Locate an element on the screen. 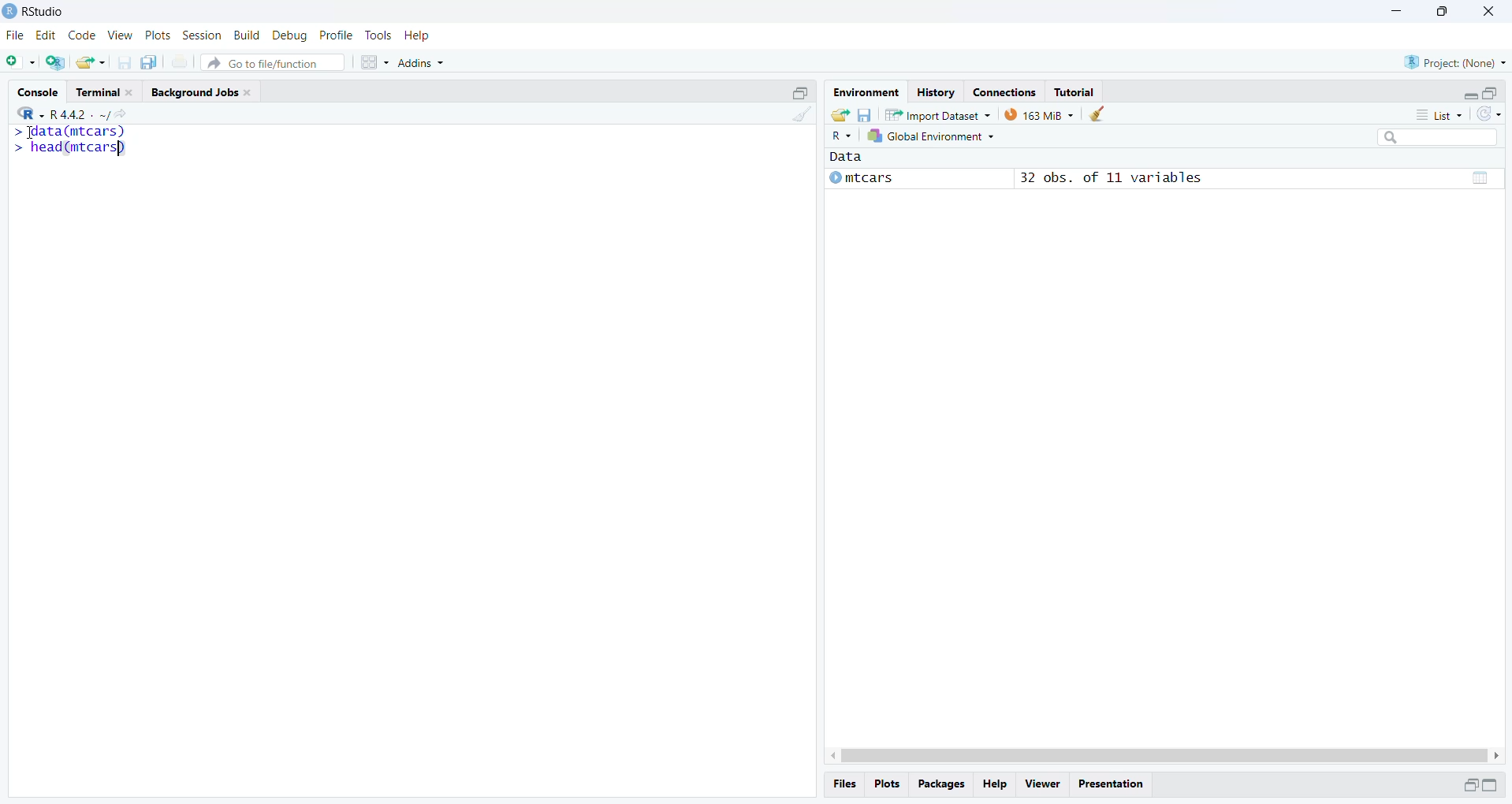 The width and height of the screenshot is (1512, 804). minimise is located at coordinates (1399, 9).